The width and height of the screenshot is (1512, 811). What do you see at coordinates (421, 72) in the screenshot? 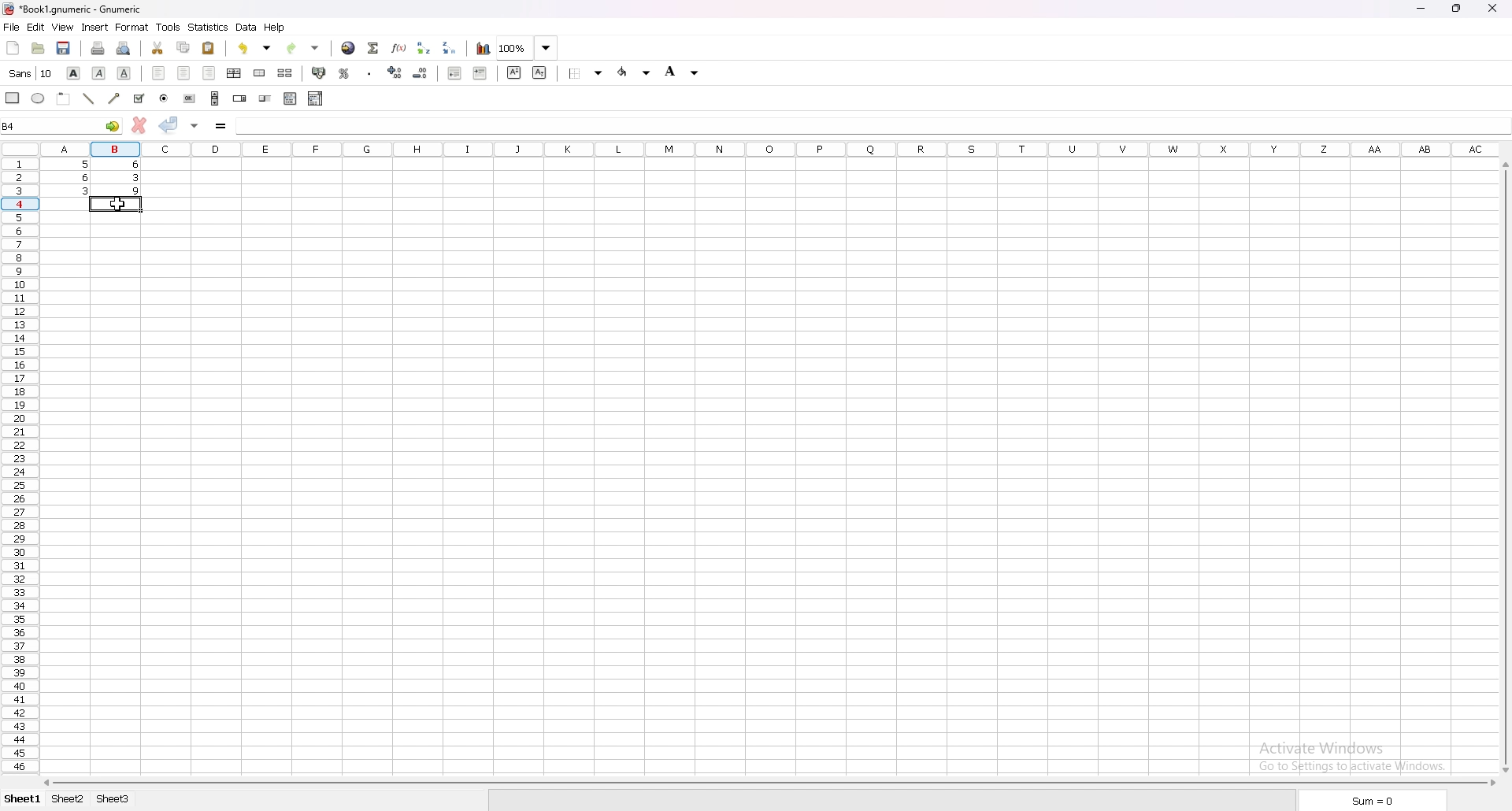
I see `decrease decimal` at bounding box center [421, 72].